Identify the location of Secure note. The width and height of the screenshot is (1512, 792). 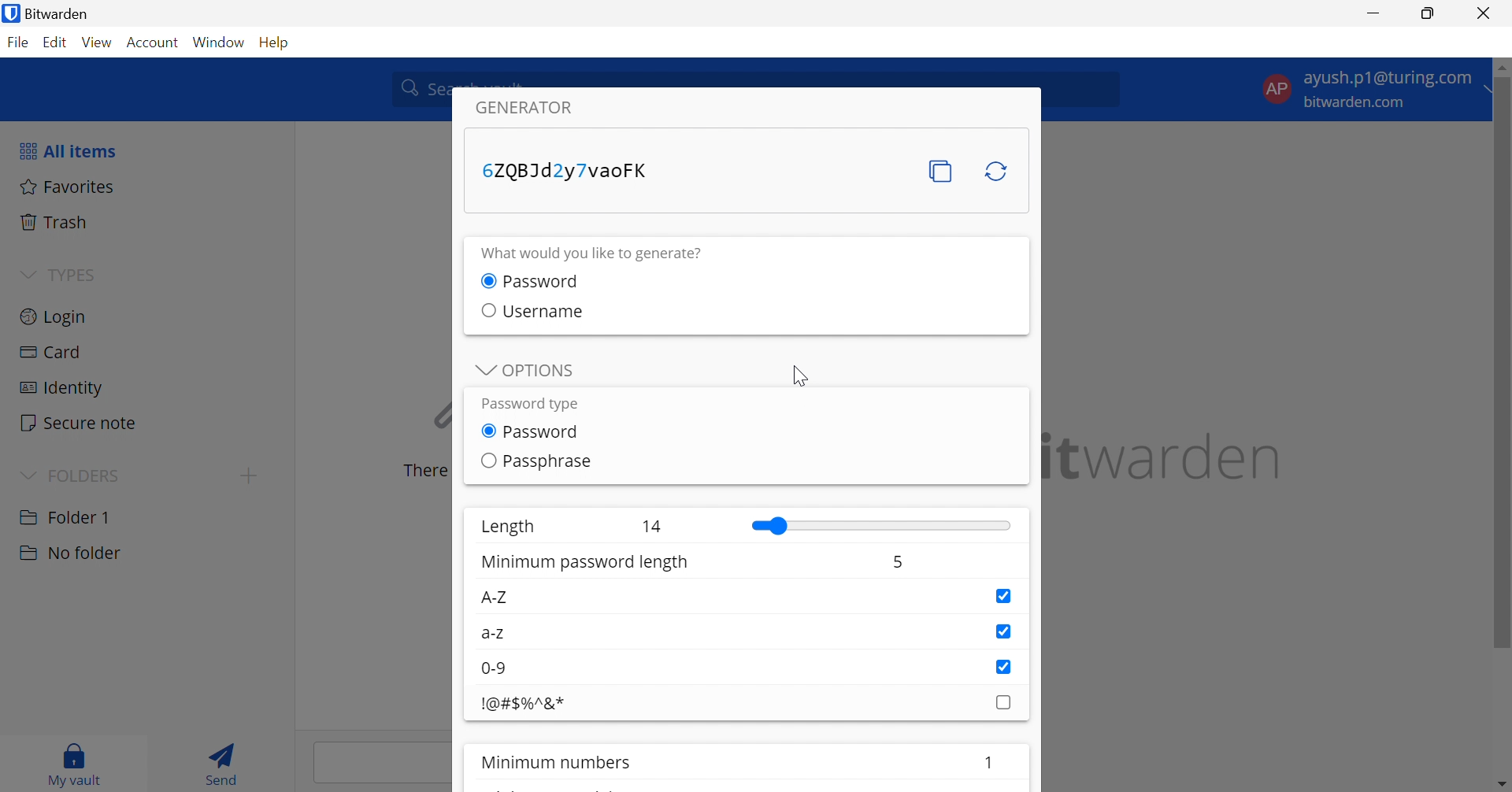
(80, 423).